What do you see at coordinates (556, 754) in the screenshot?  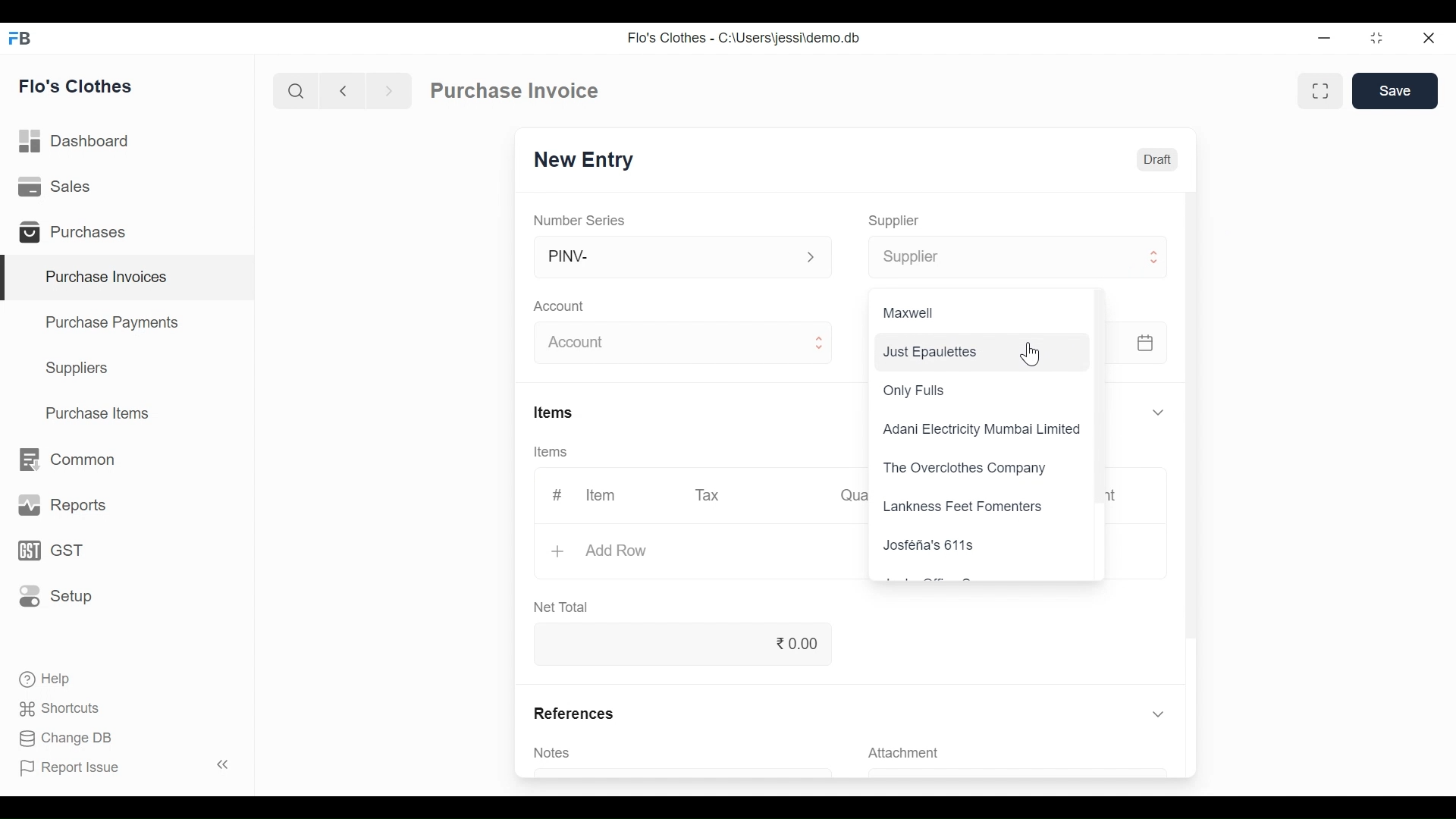 I see `Notes` at bounding box center [556, 754].